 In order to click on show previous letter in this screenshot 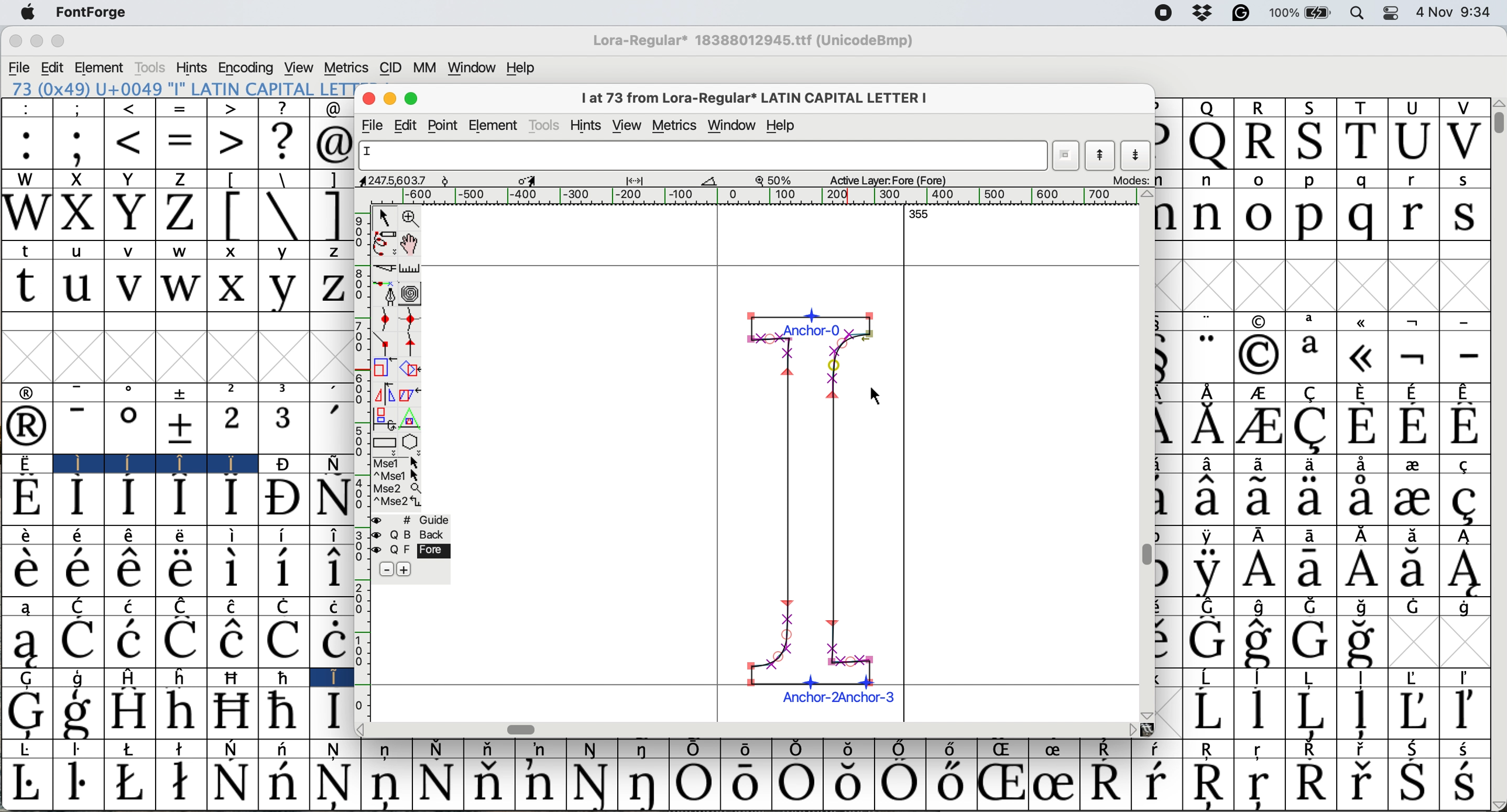, I will do `click(1102, 156)`.